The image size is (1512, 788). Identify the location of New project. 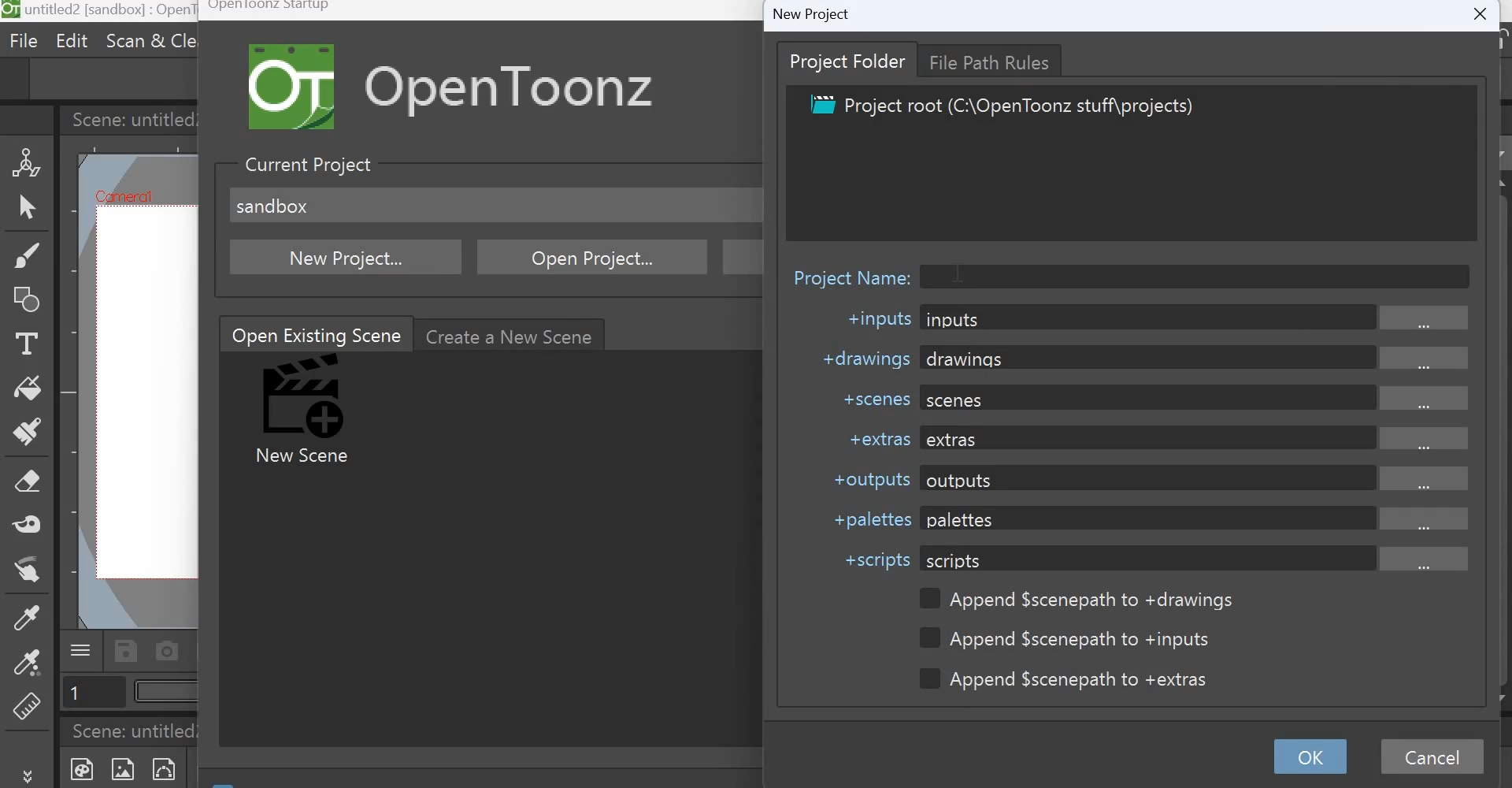
(347, 256).